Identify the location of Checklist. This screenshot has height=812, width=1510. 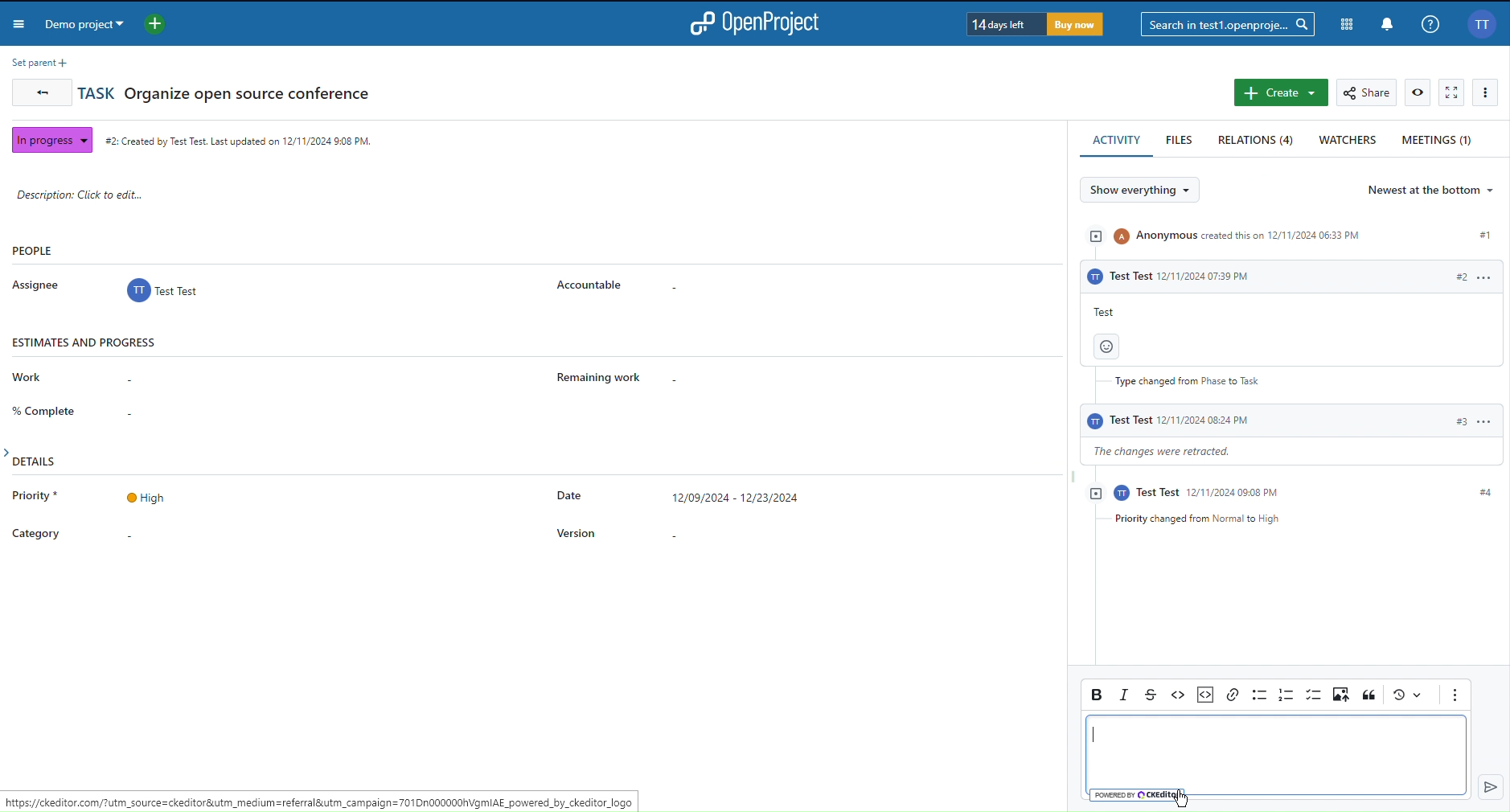
(1315, 695).